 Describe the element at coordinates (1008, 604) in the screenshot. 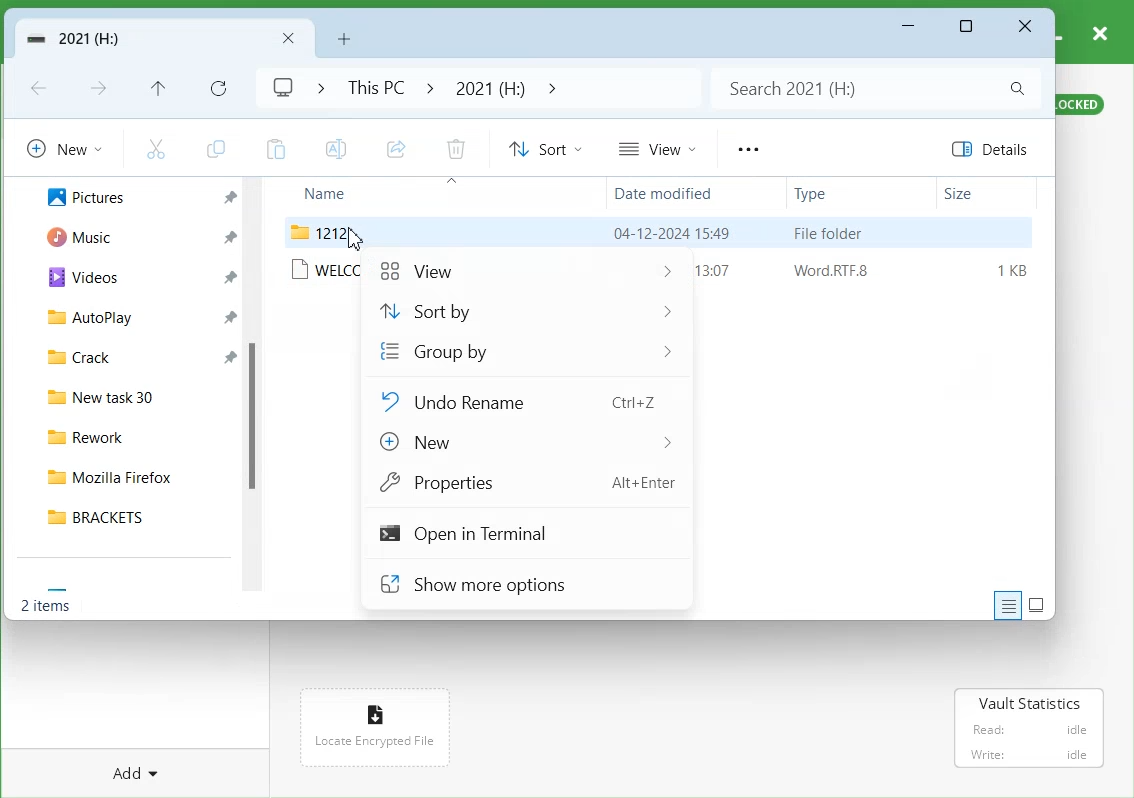

I see `Display information about each item to the window` at that location.